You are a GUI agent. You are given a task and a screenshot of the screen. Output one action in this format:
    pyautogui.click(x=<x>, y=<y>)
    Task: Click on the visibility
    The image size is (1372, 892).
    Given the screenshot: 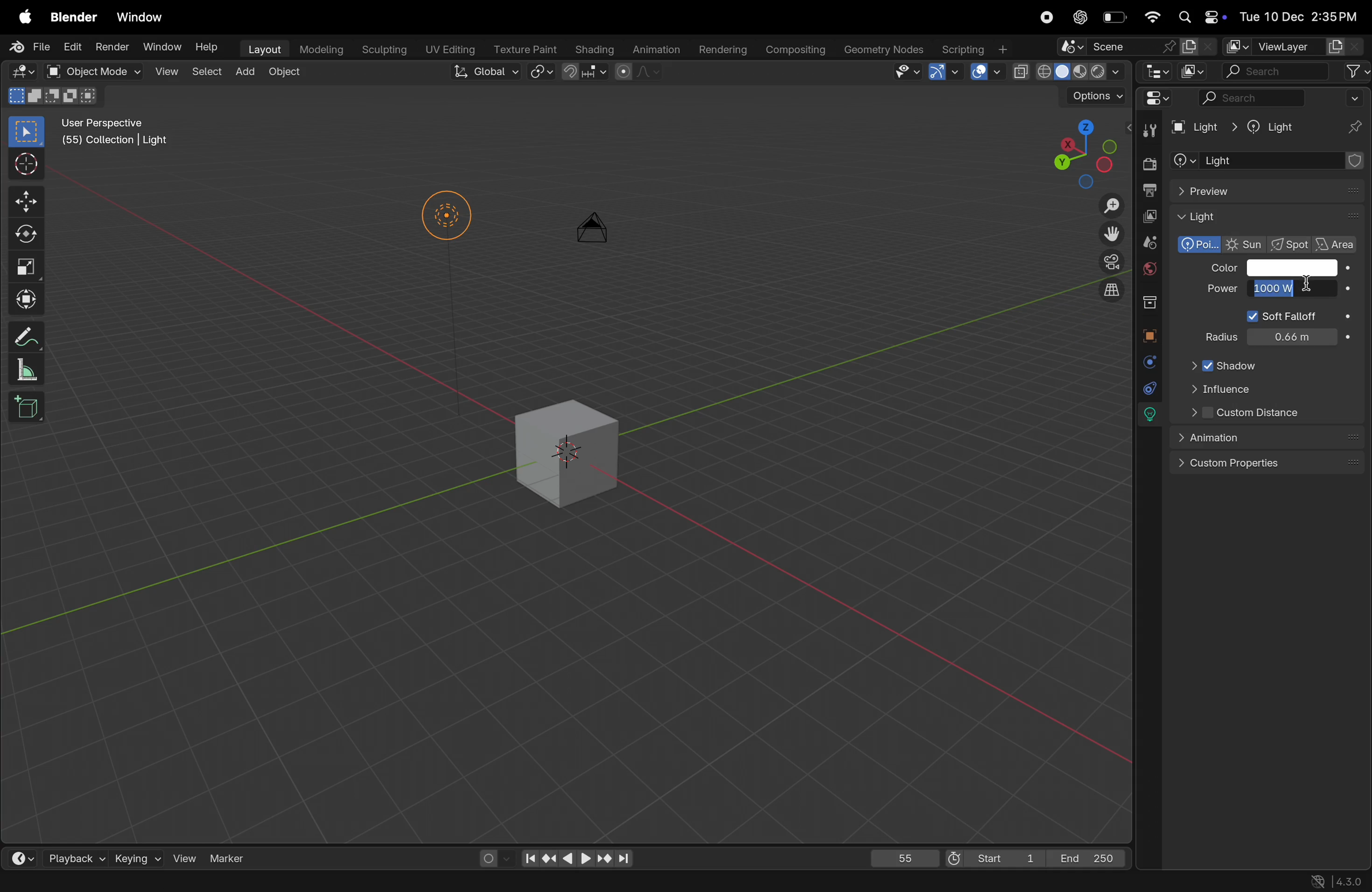 What is the action you would take?
    pyautogui.click(x=903, y=72)
    